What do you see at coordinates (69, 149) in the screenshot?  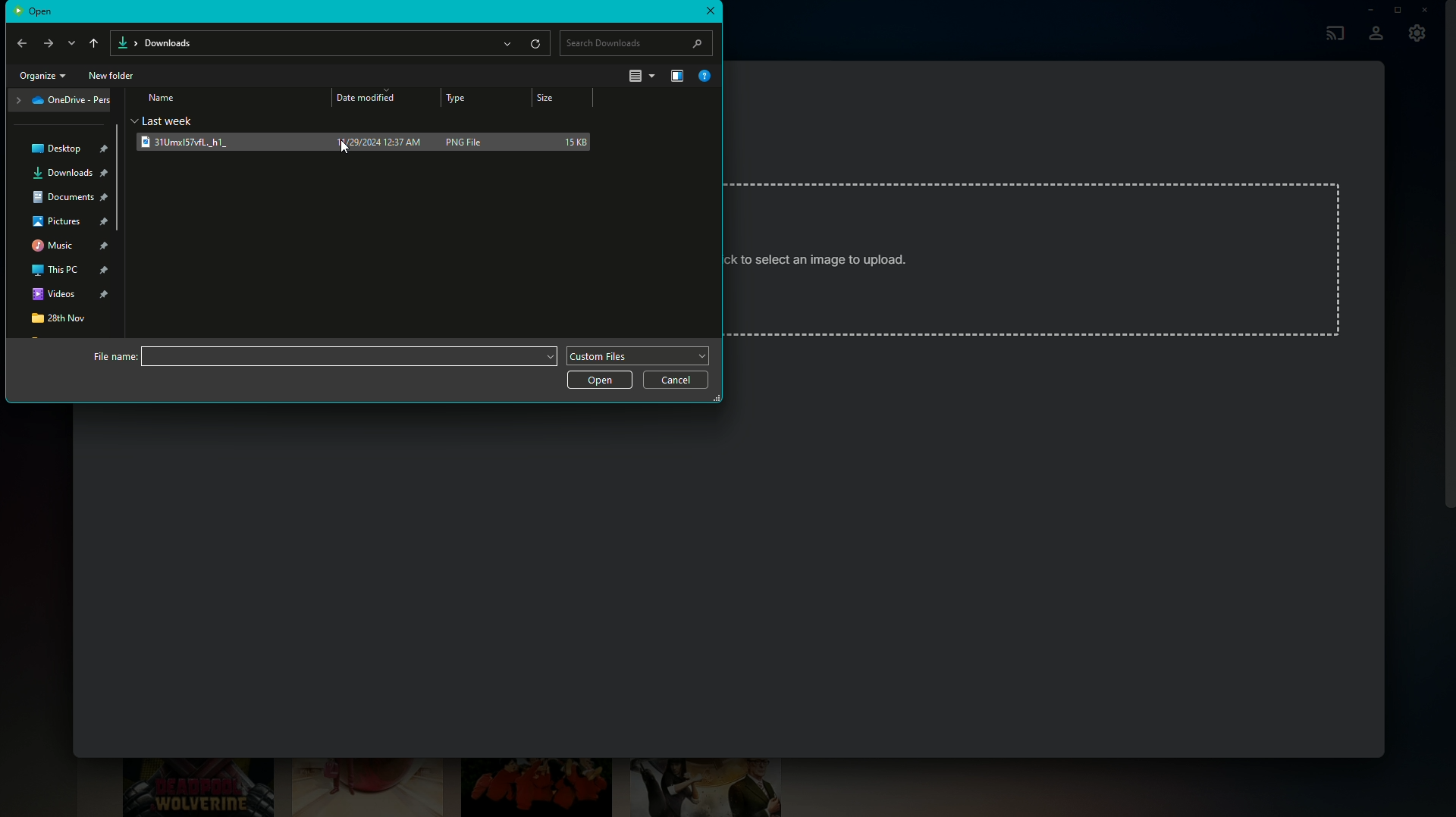 I see `Desktop` at bounding box center [69, 149].